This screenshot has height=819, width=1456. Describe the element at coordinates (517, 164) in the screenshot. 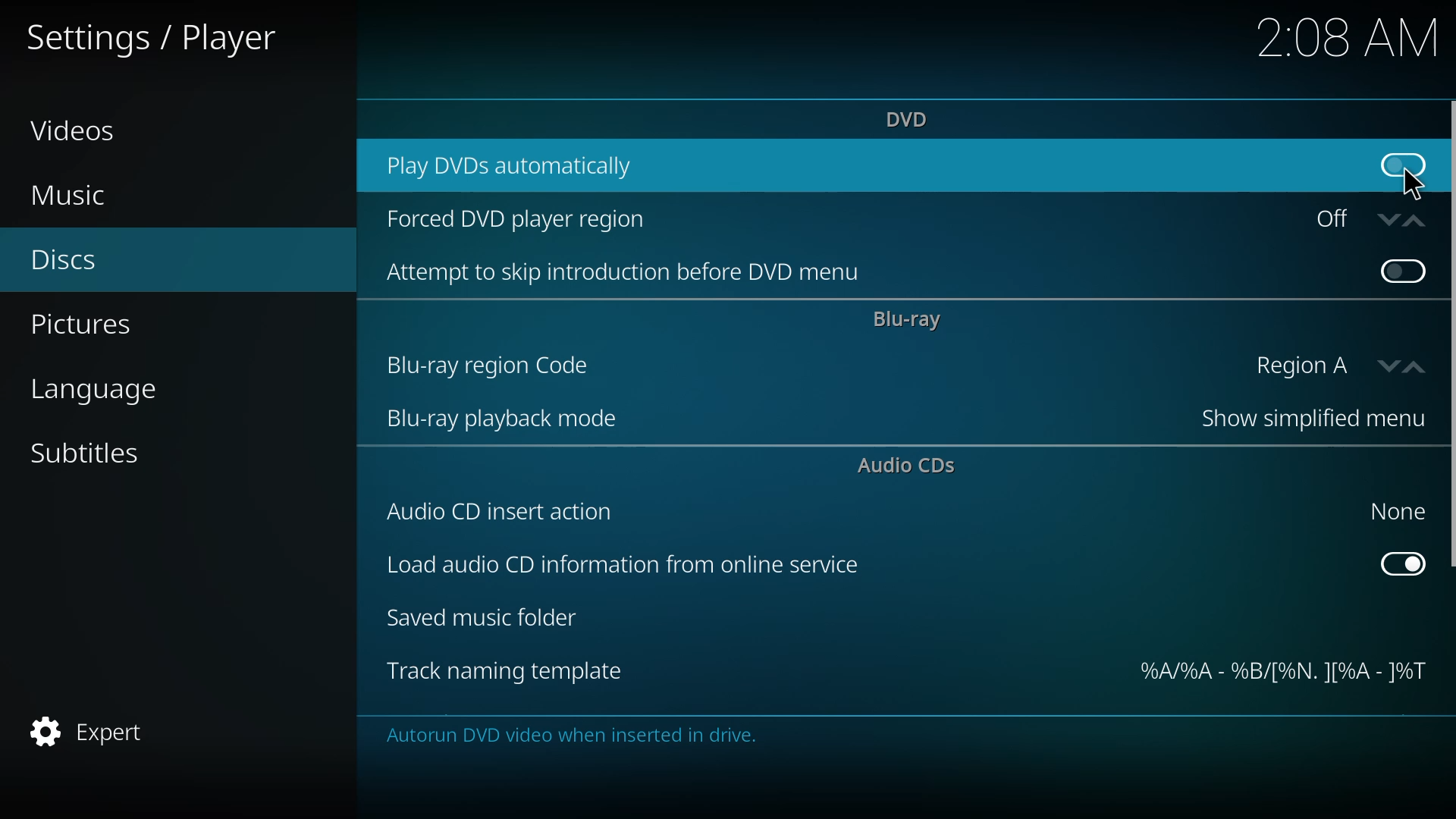

I see `play dvds automatically` at that location.